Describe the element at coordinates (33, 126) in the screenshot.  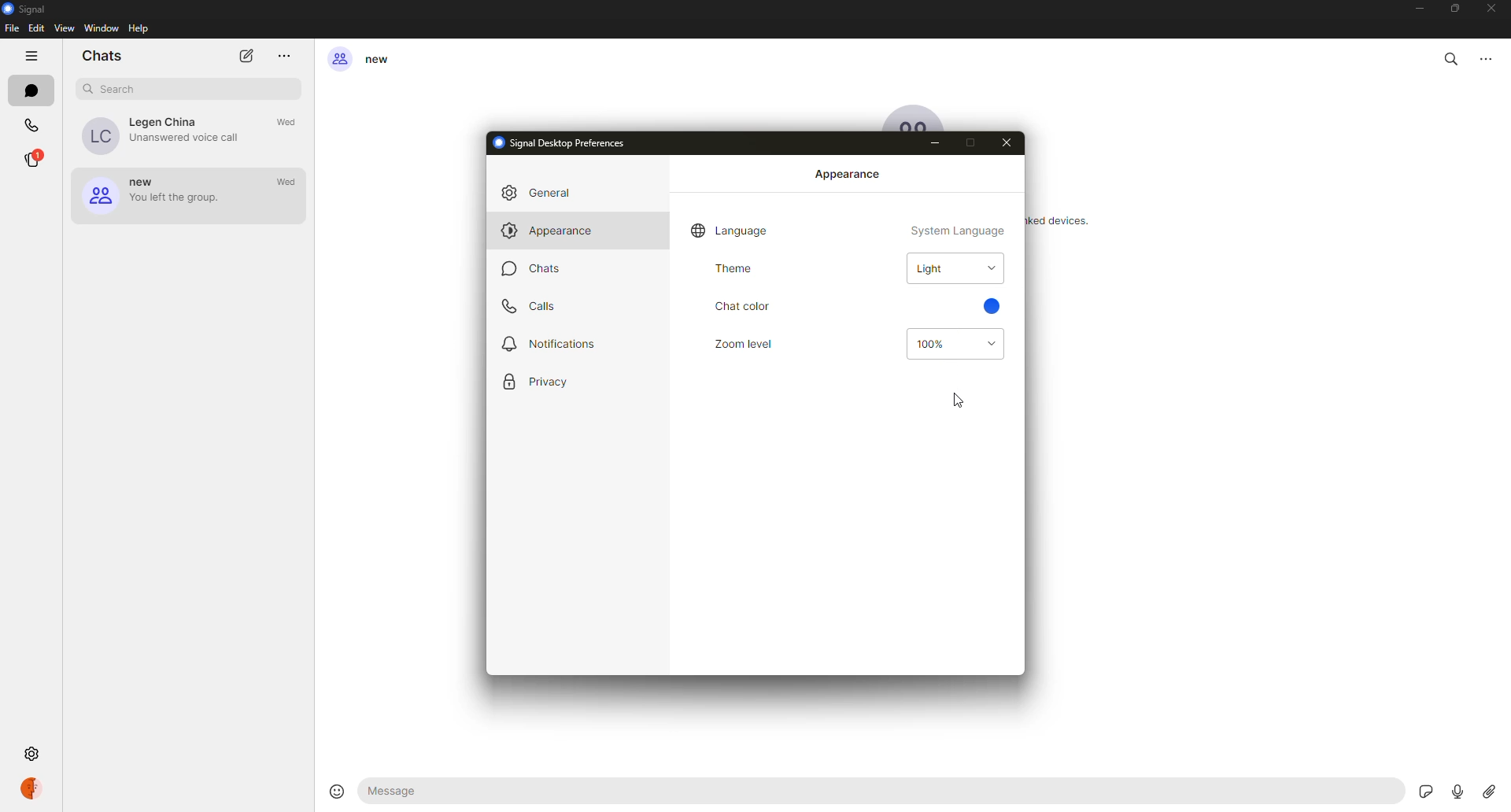
I see `calls` at that location.